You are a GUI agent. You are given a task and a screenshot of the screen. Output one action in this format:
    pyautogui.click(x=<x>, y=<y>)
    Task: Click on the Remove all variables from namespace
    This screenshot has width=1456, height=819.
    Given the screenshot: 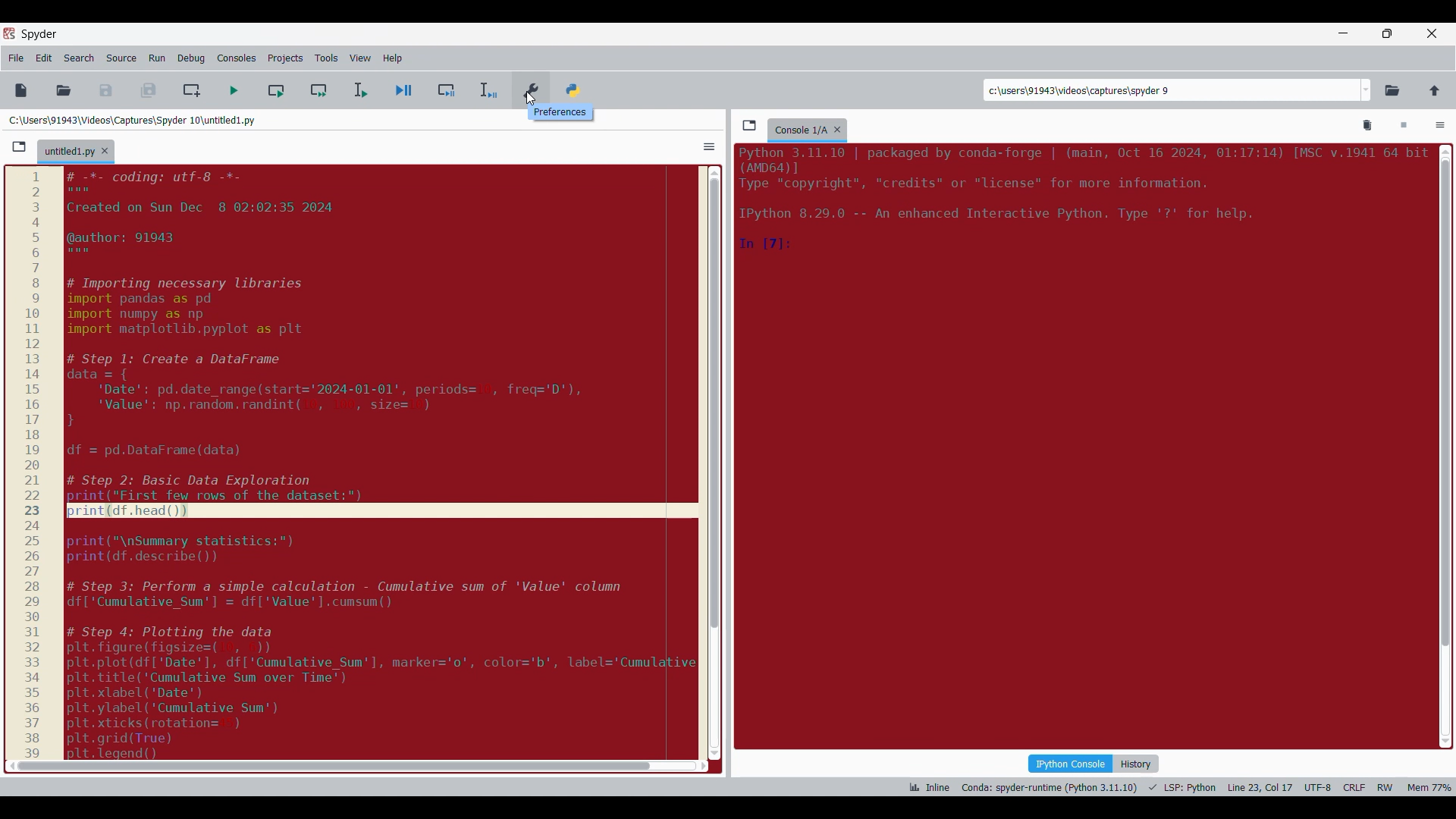 What is the action you would take?
    pyautogui.click(x=1368, y=126)
    